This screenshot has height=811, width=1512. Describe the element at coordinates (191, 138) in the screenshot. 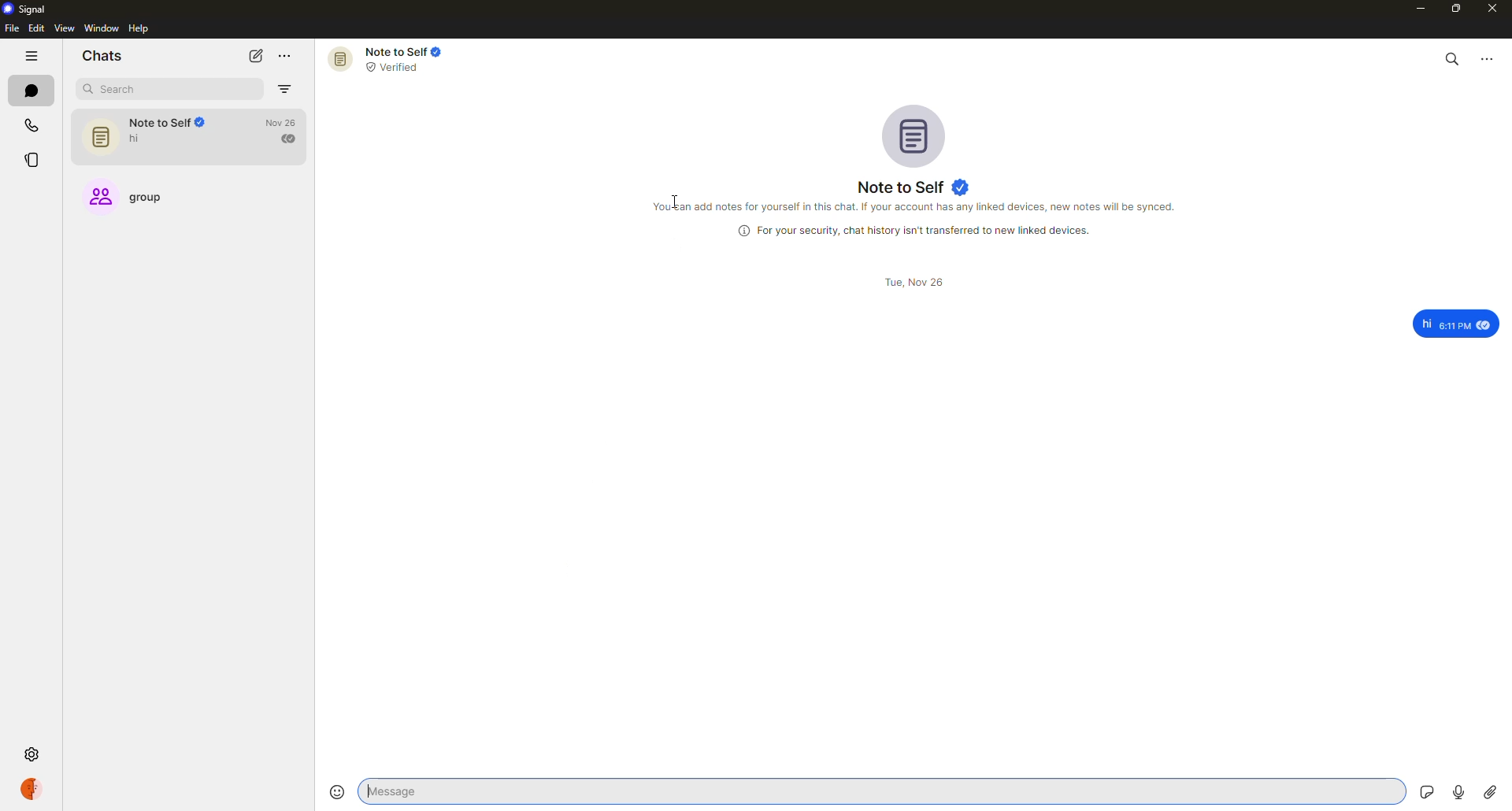

I see `note to self selected` at that location.